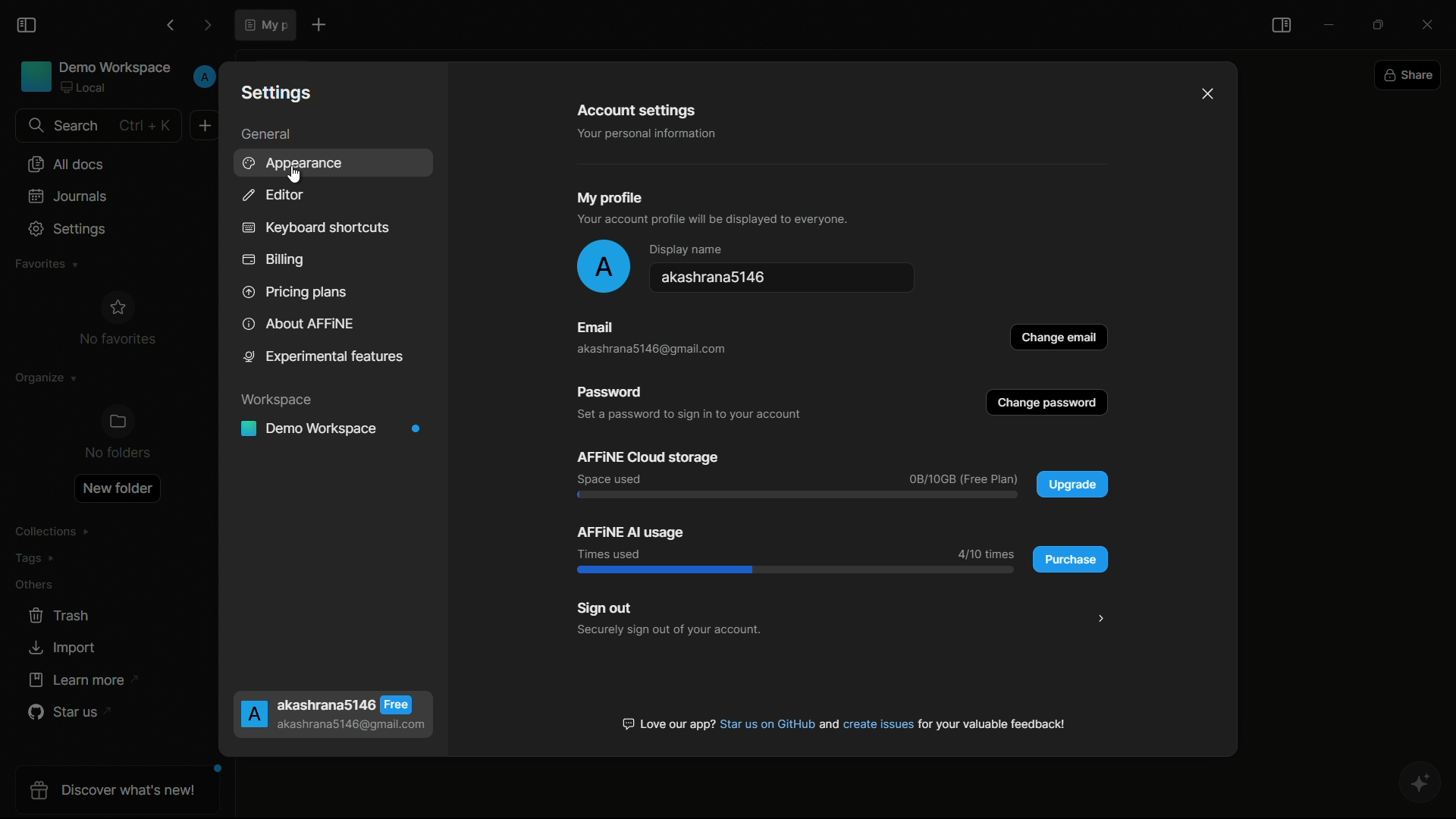 The width and height of the screenshot is (1456, 819). What do you see at coordinates (717, 221) in the screenshot?
I see `Your account profile will be displayed to everyone.` at bounding box center [717, 221].